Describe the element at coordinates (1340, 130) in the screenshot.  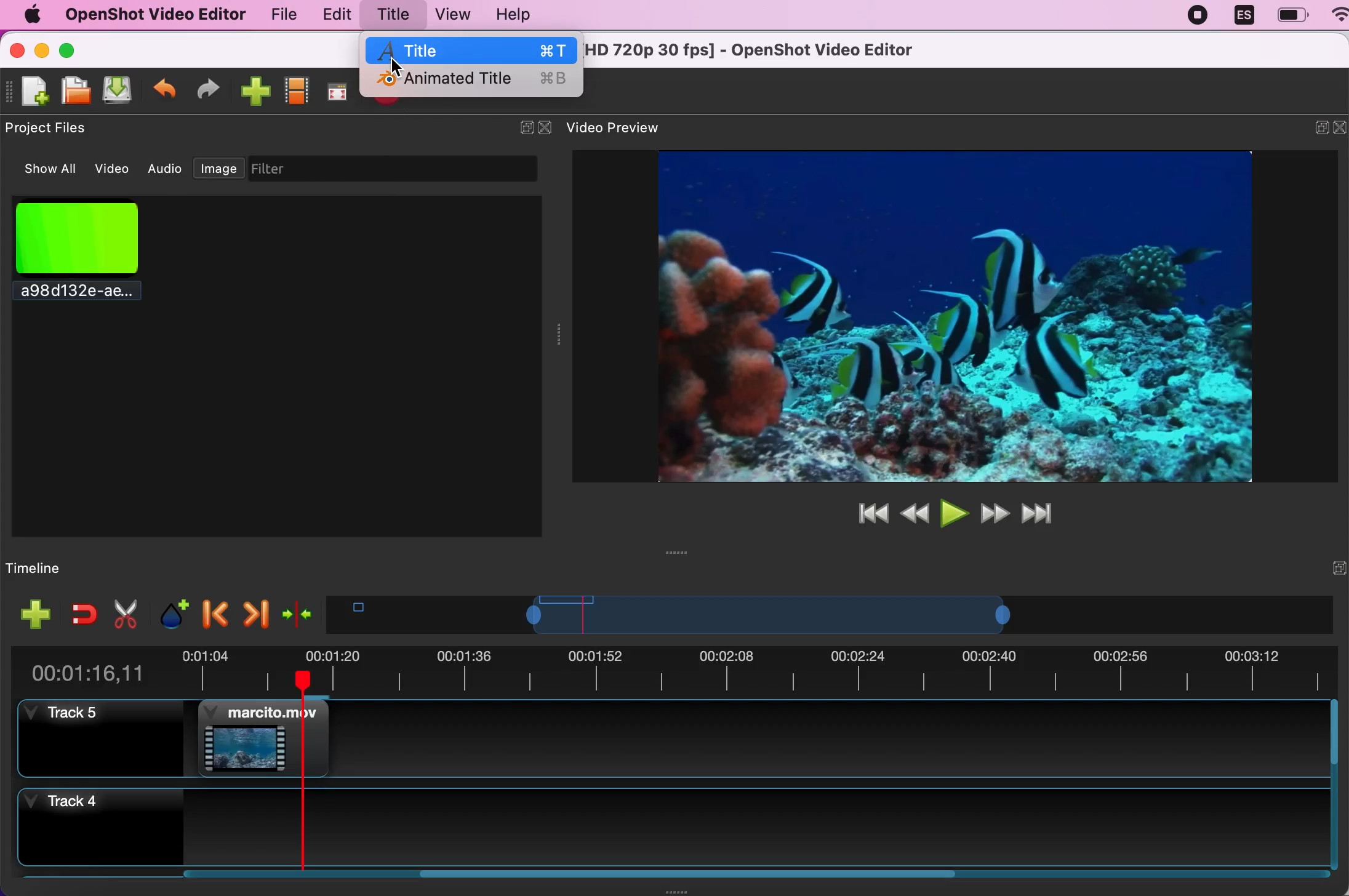
I see `close` at that location.